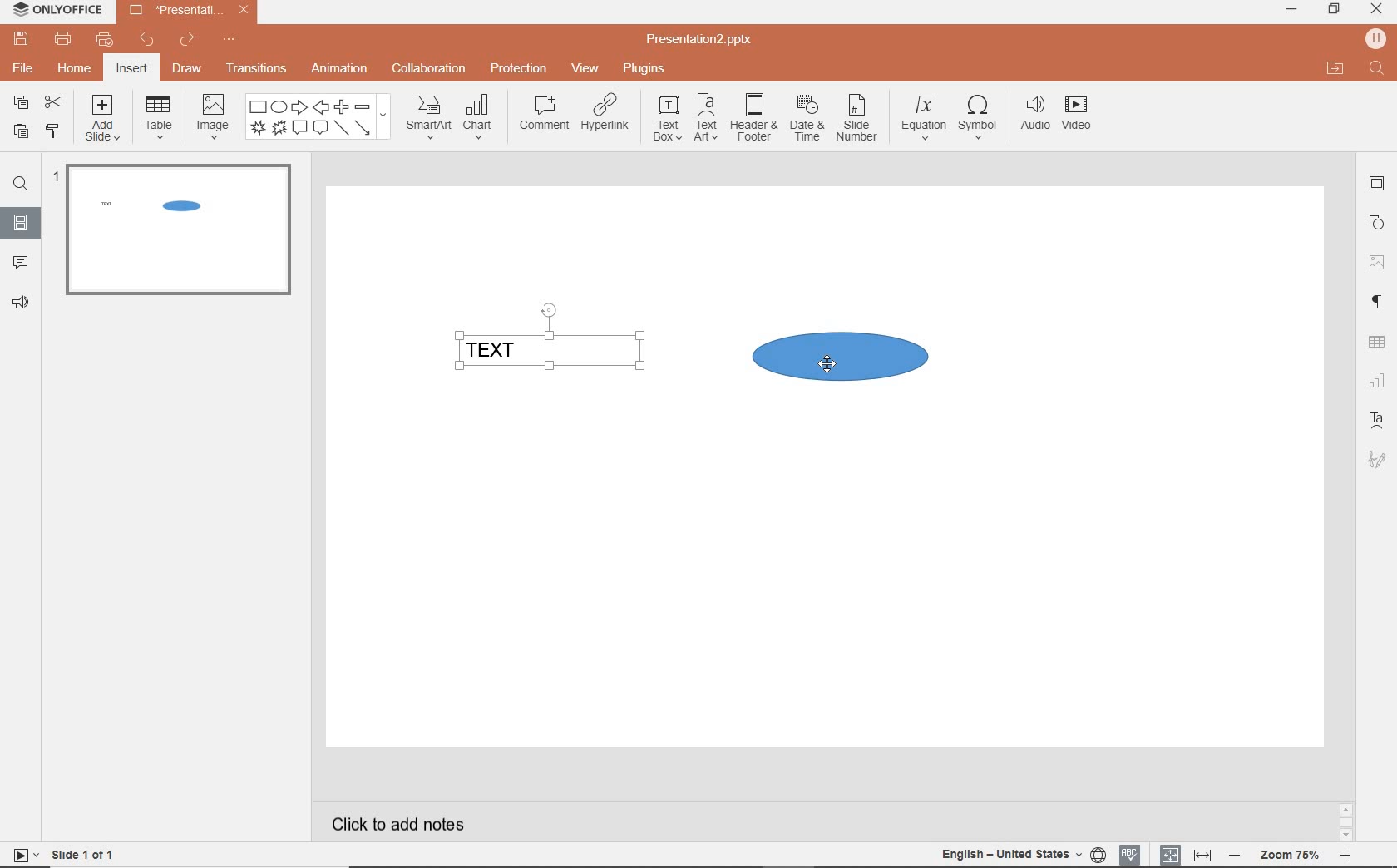  Describe the element at coordinates (1377, 343) in the screenshot. I see `TABLE SETTINGS` at that location.